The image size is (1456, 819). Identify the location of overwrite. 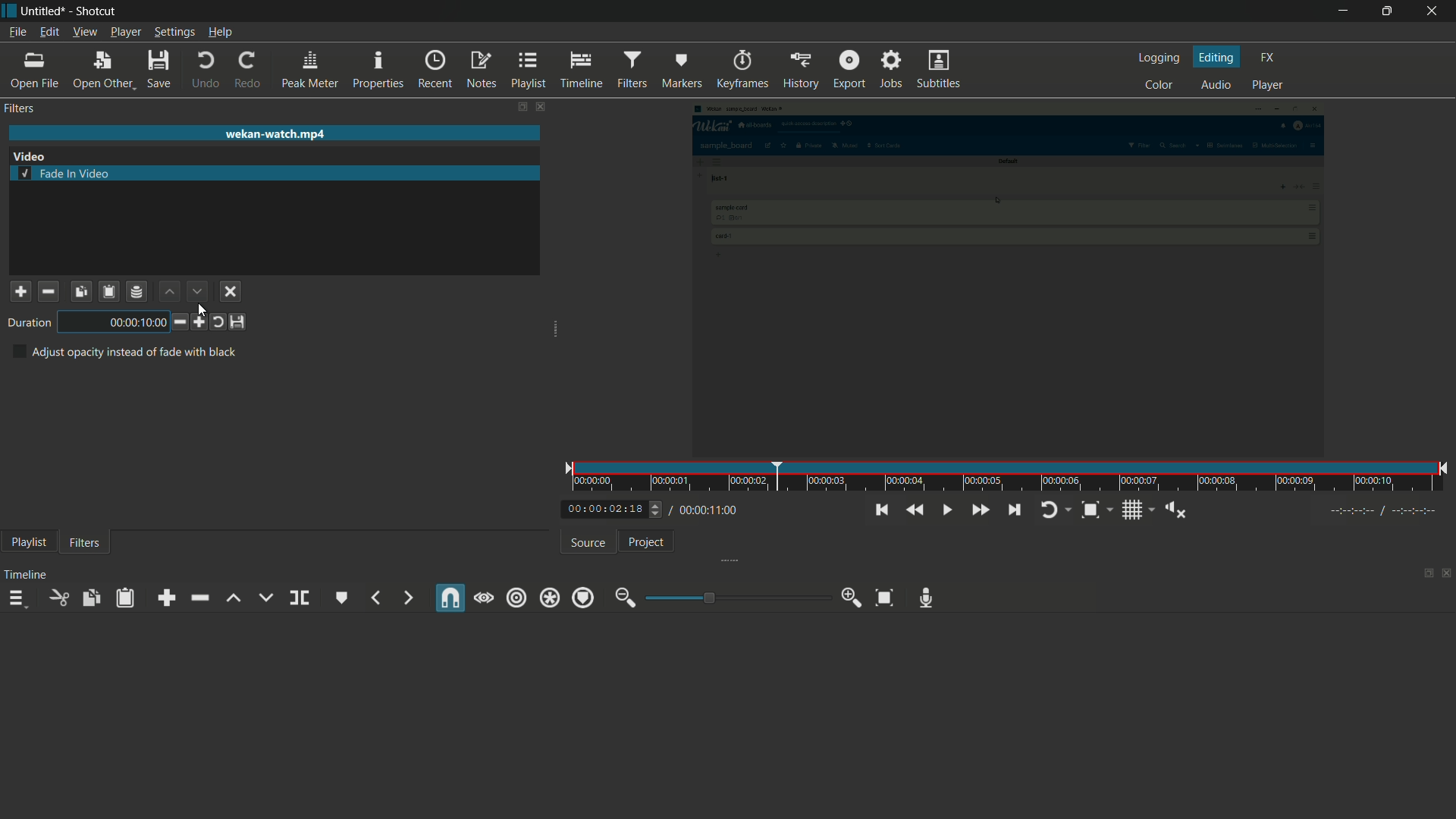
(265, 597).